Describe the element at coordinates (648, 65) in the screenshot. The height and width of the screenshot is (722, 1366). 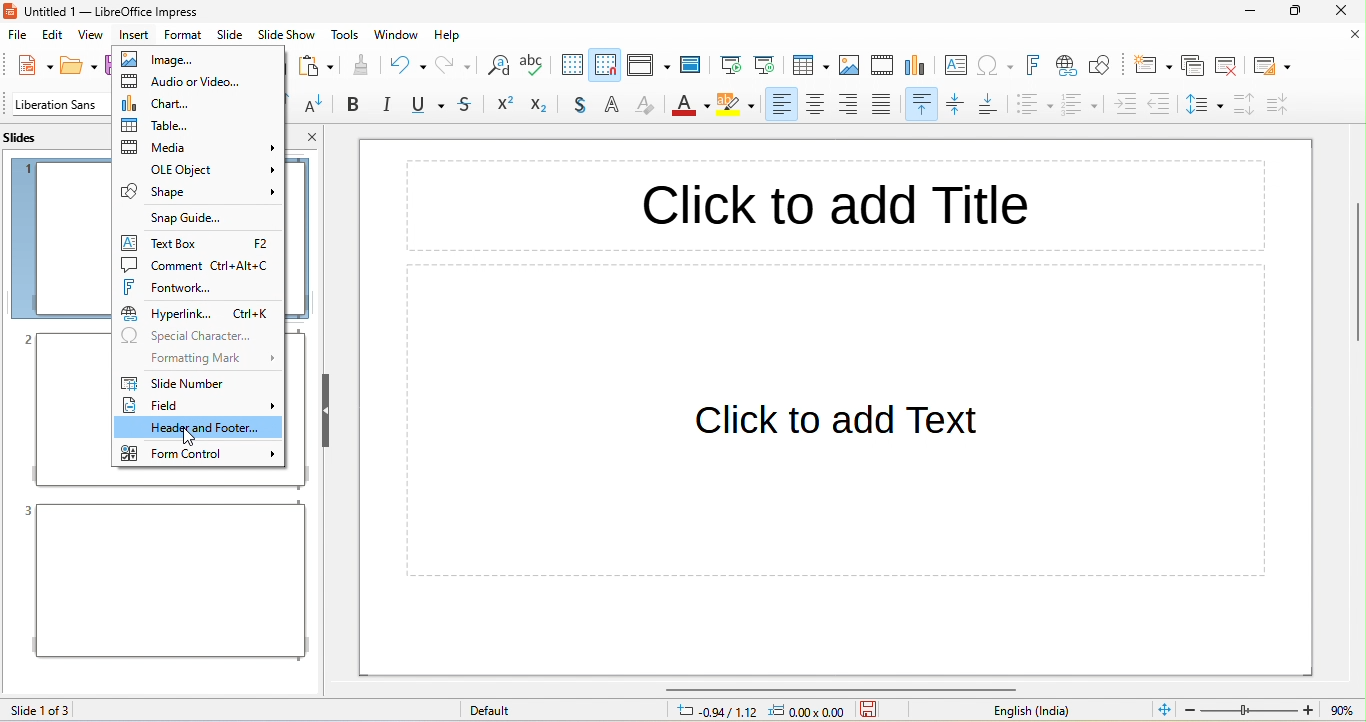
I see `display view` at that location.